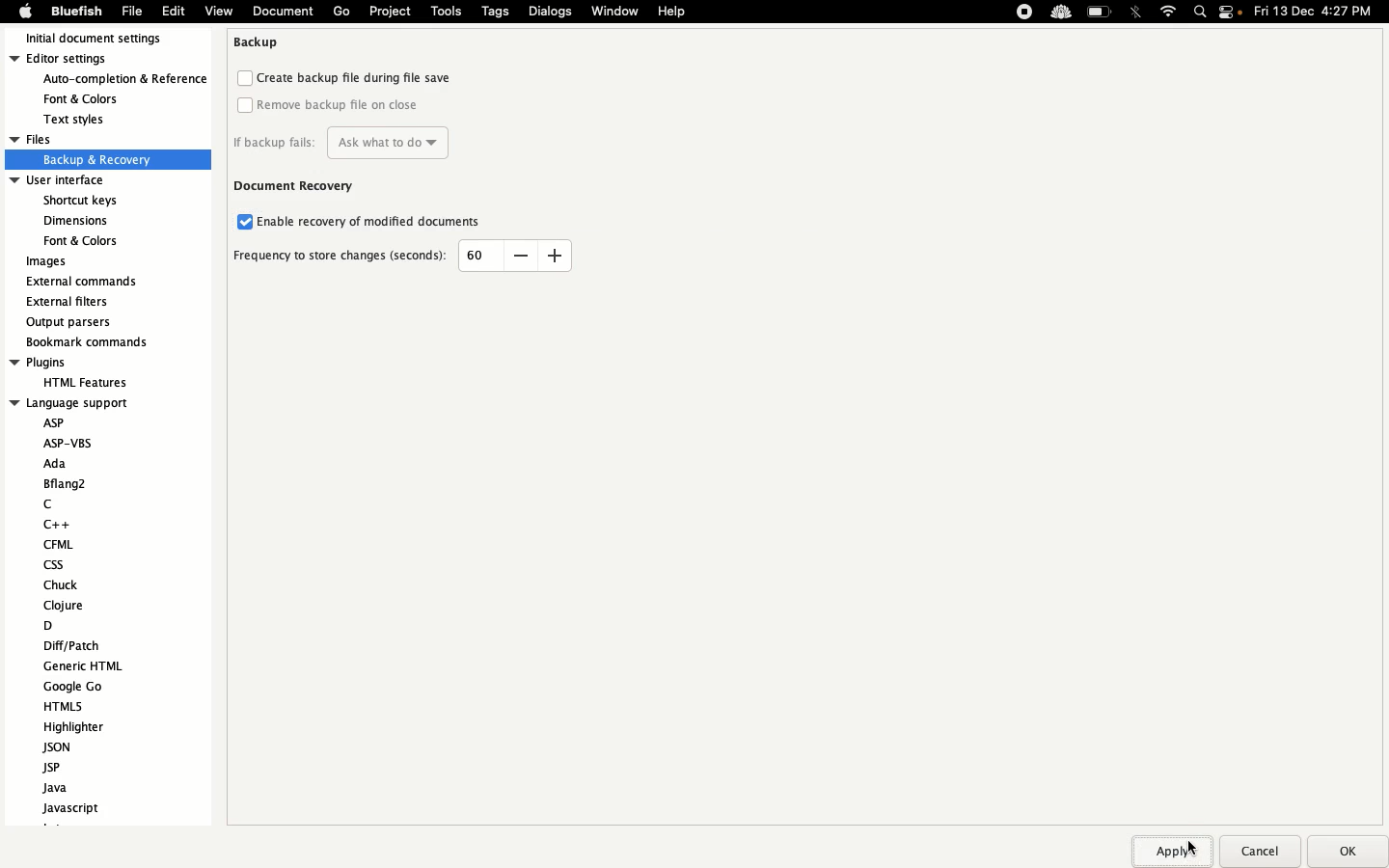  Describe the element at coordinates (241, 222) in the screenshot. I see `Enabled` at that location.